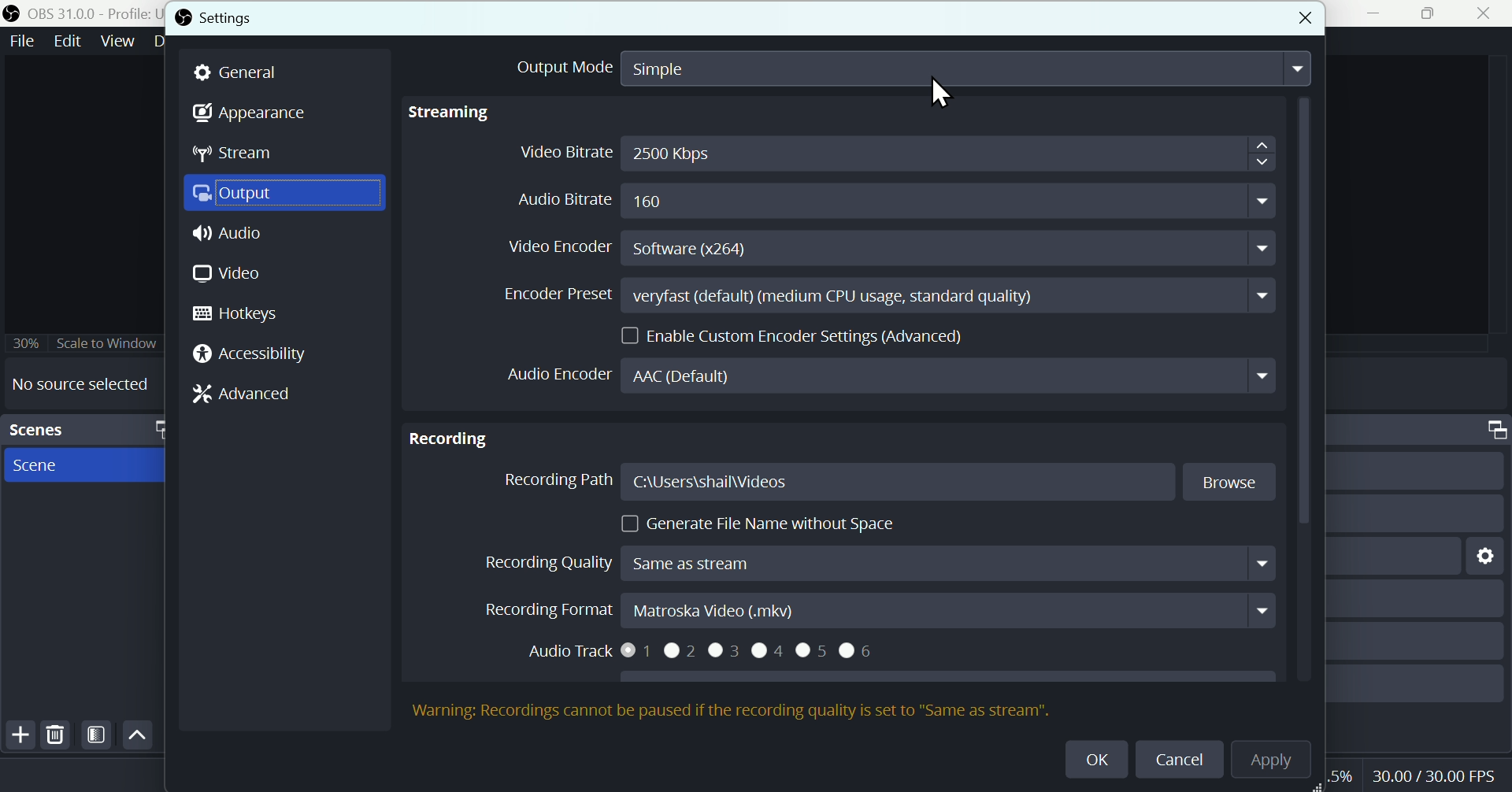  What do you see at coordinates (250, 356) in the screenshot?
I see `Accessibility` at bounding box center [250, 356].